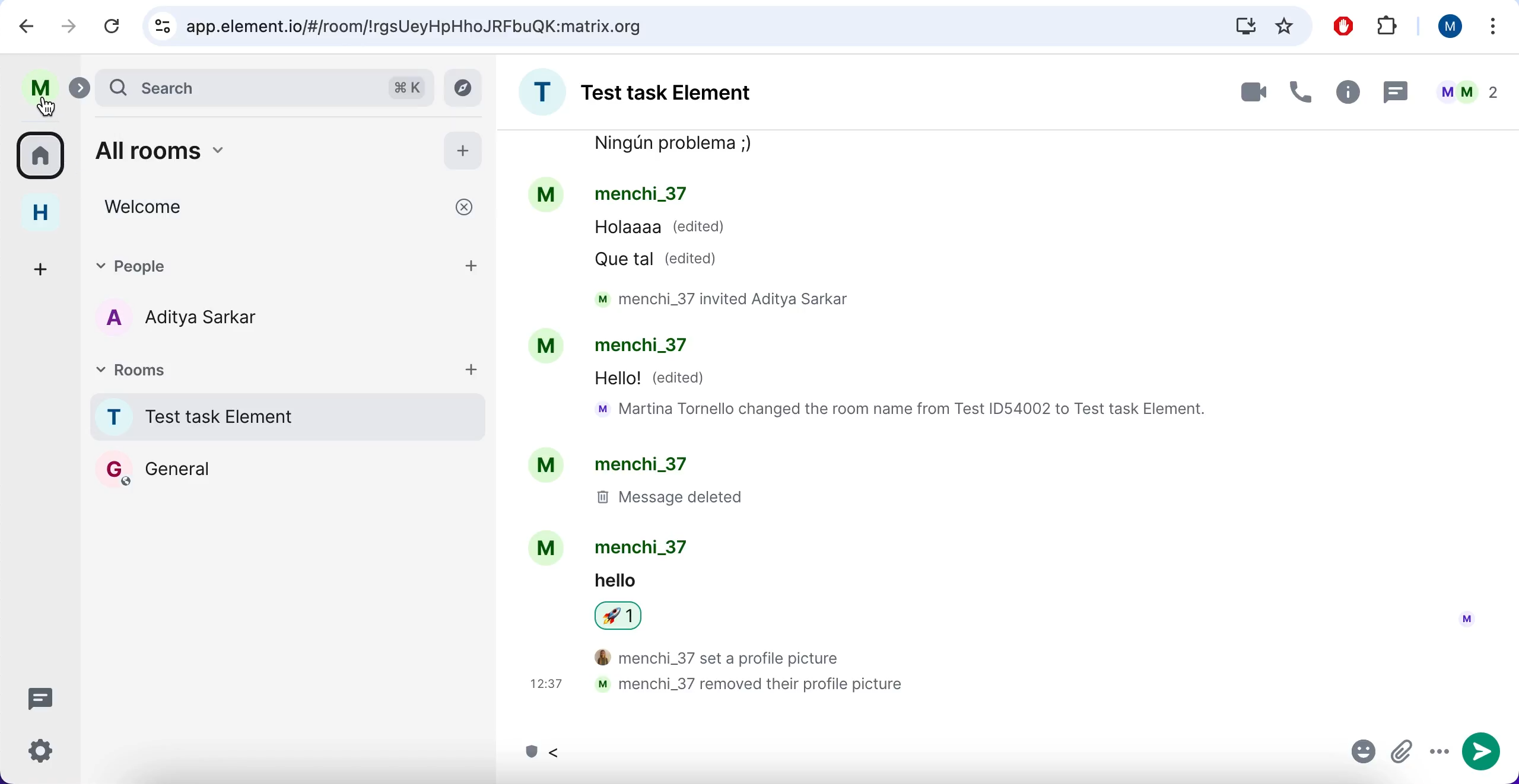 This screenshot has width=1519, height=784. Describe the element at coordinates (40, 698) in the screenshot. I see `threads` at that location.